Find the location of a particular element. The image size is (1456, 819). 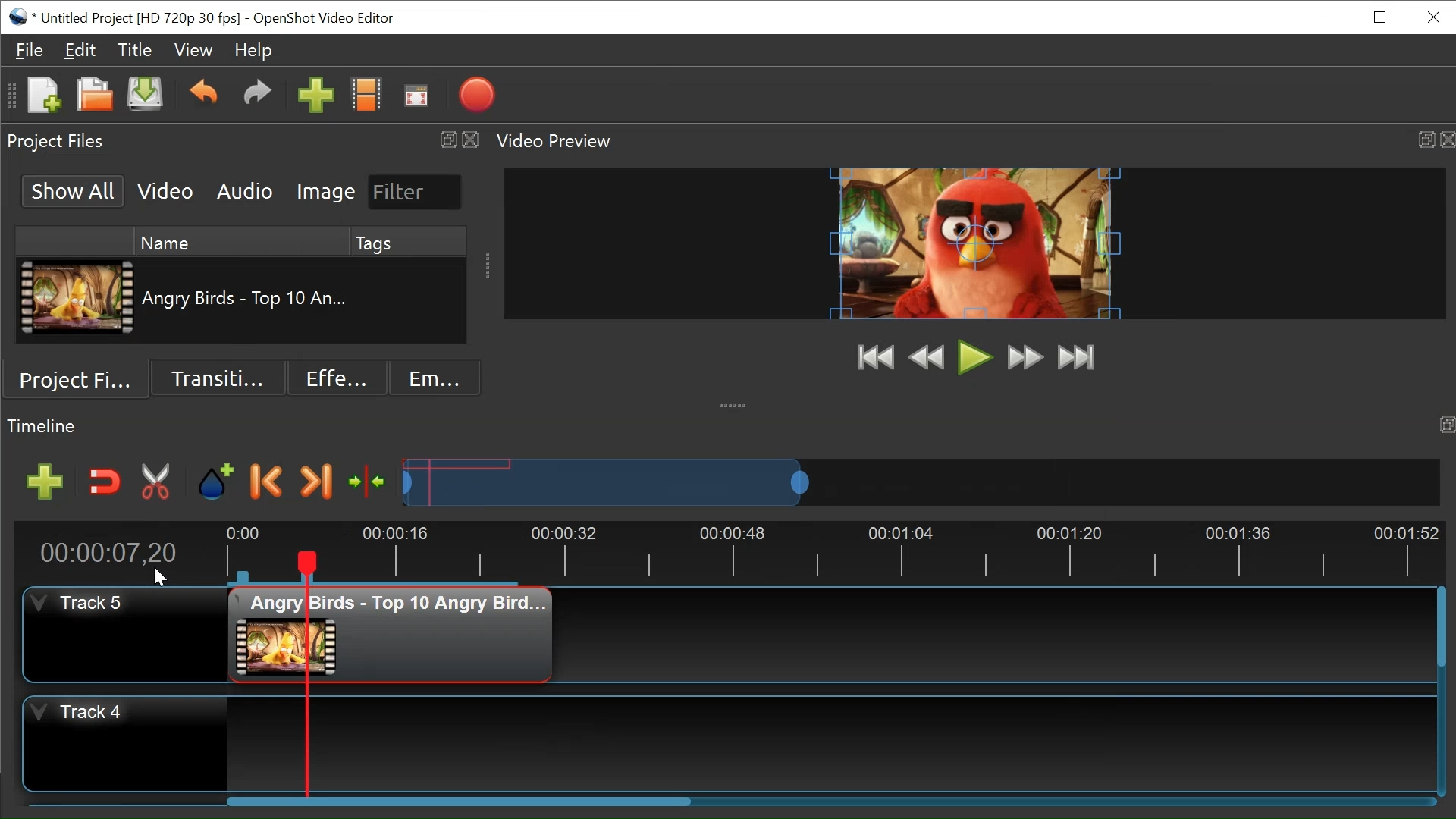

Center the timeline on the playhead is located at coordinates (371, 482).